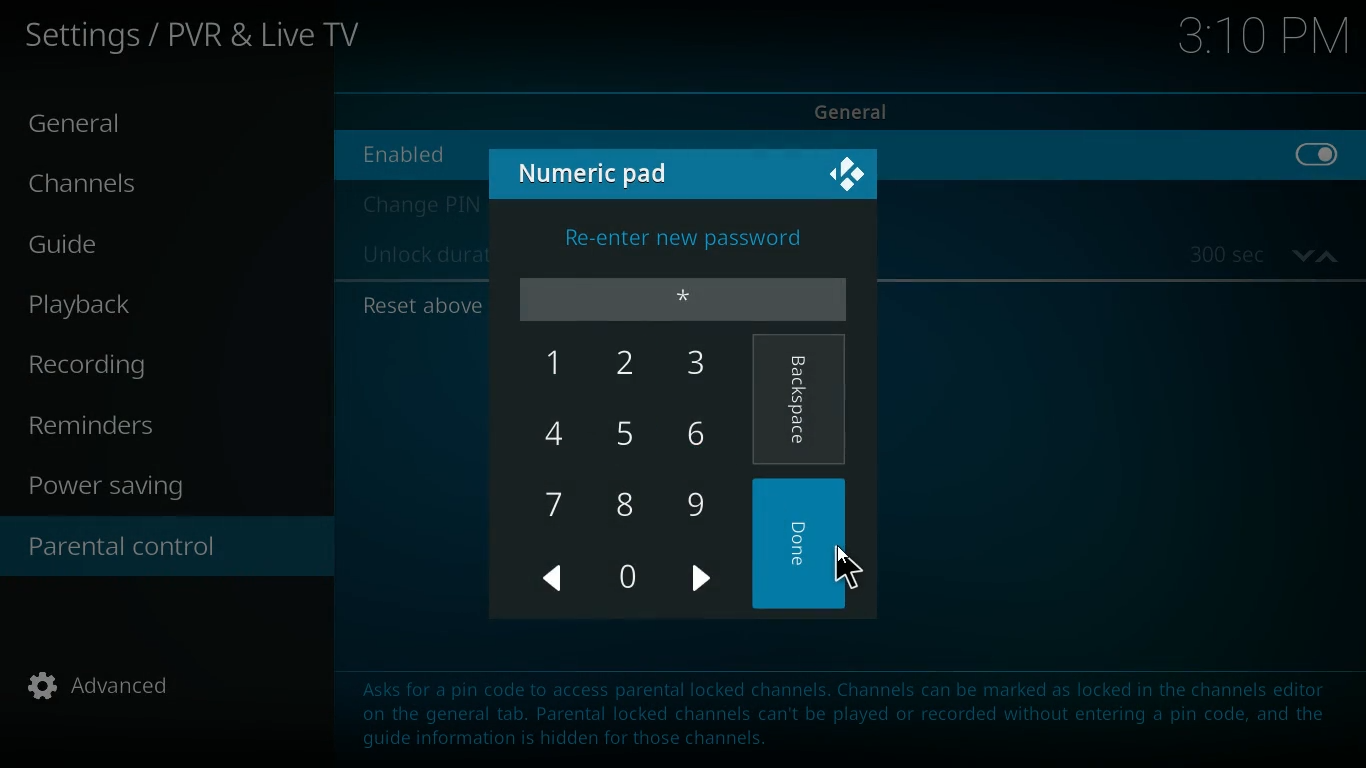 The width and height of the screenshot is (1366, 768). Describe the element at coordinates (804, 723) in the screenshot. I see `message` at that location.